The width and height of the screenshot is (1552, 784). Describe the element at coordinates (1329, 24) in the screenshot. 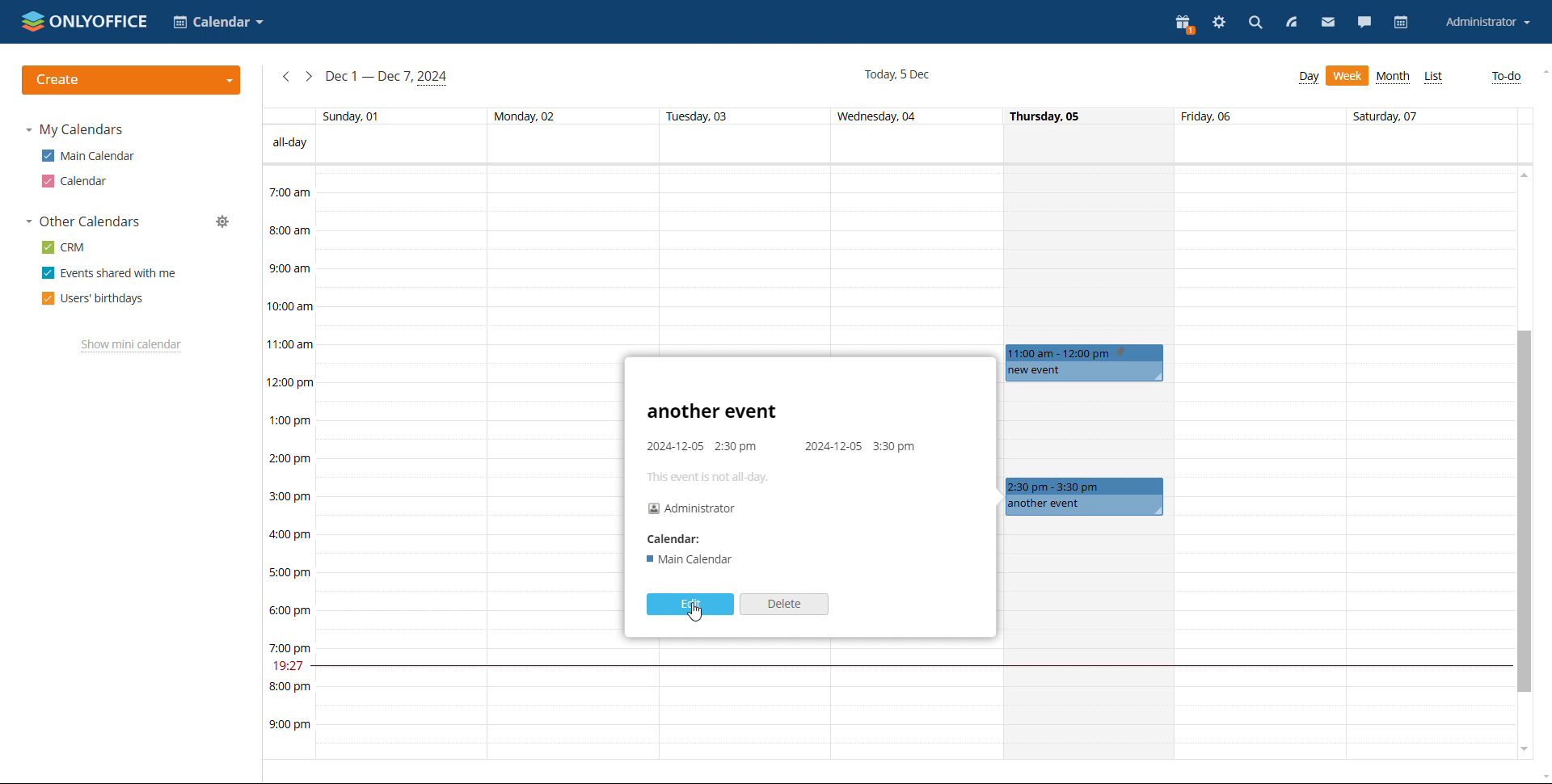

I see `mail` at that location.